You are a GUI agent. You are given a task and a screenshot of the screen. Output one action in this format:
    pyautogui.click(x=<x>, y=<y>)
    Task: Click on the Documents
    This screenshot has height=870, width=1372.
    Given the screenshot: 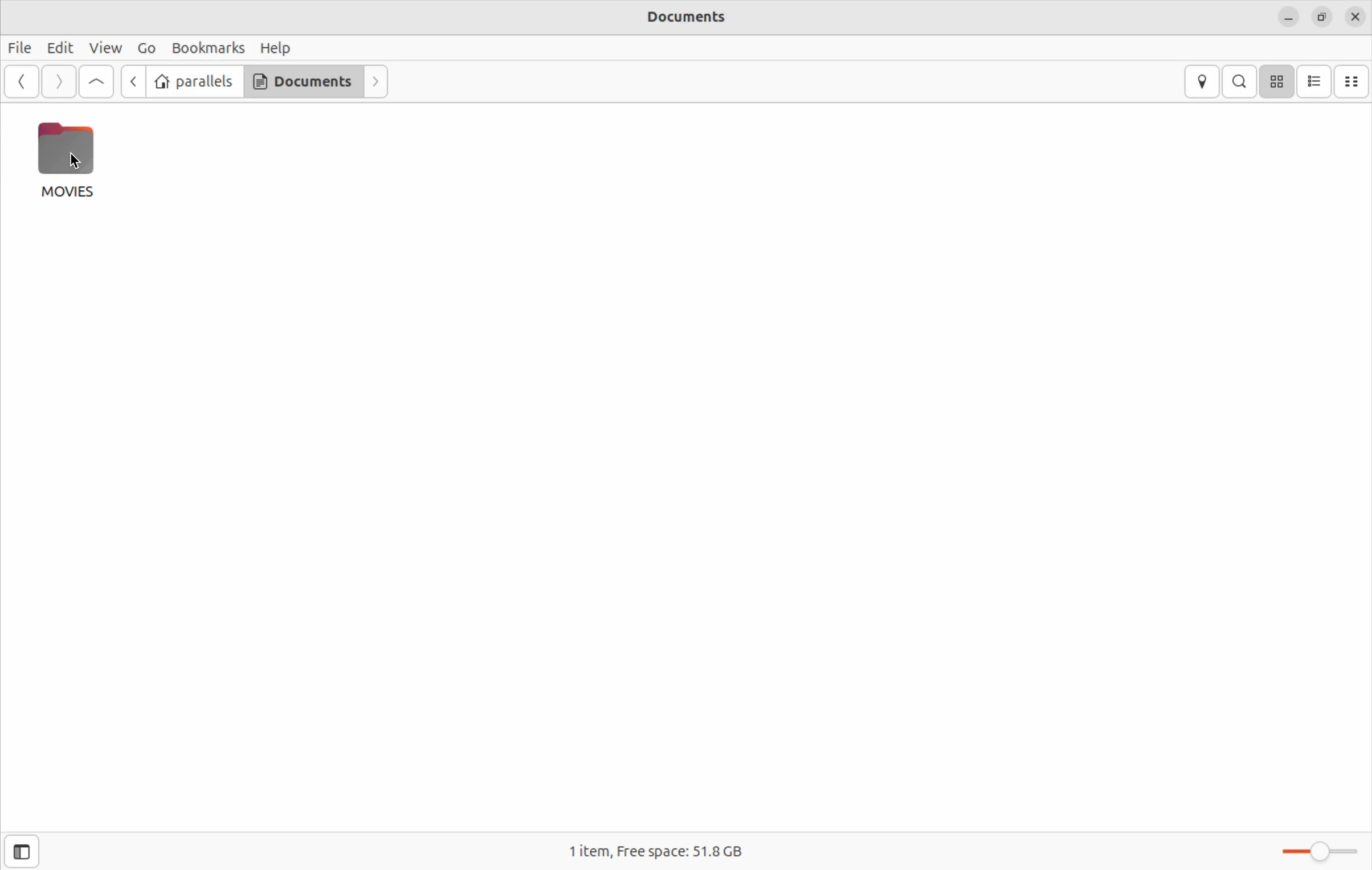 What is the action you would take?
    pyautogui.click(x=699, y=18)
    